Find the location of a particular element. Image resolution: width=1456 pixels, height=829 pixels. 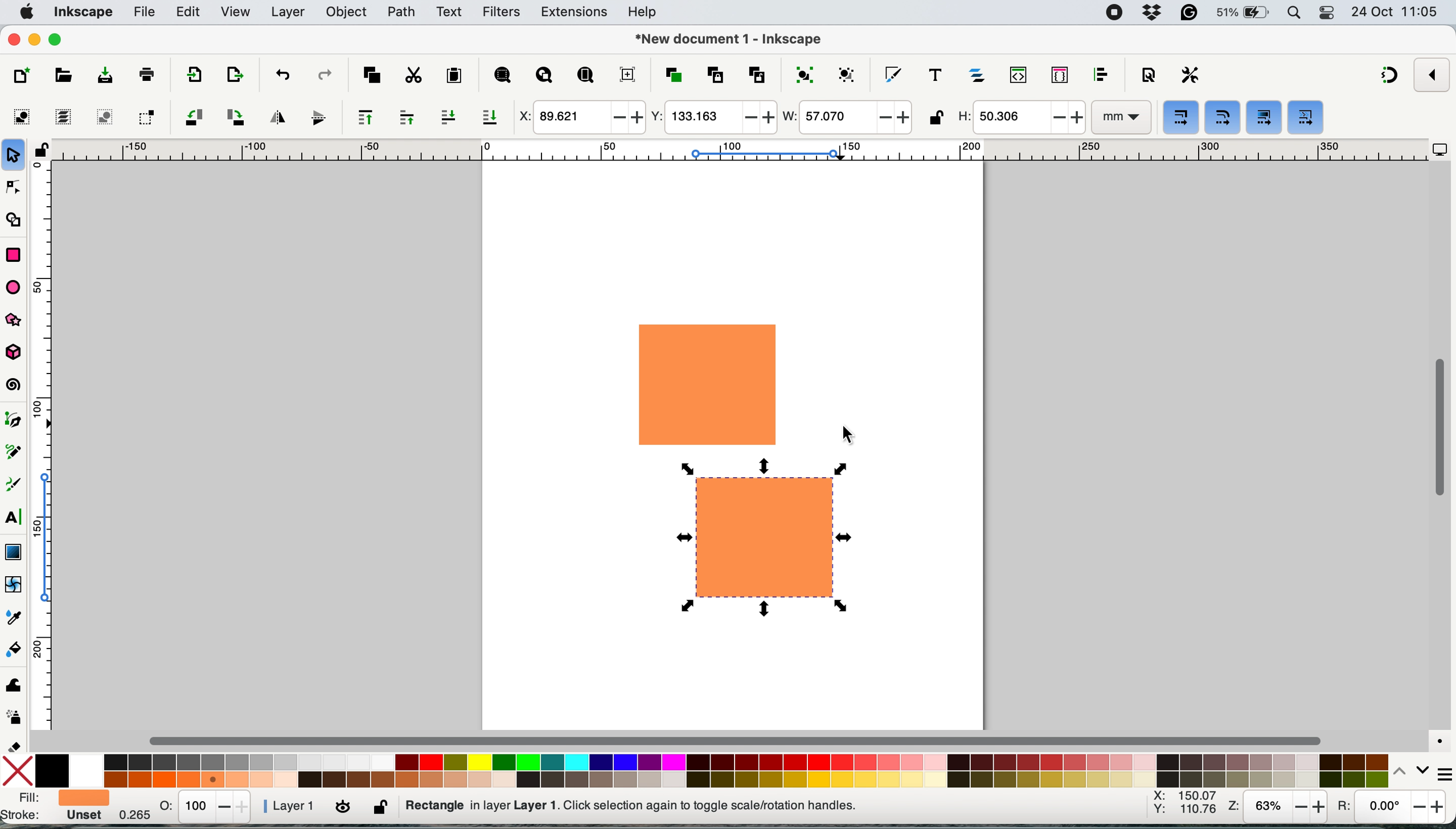

close is located at coordinates (14, 40).